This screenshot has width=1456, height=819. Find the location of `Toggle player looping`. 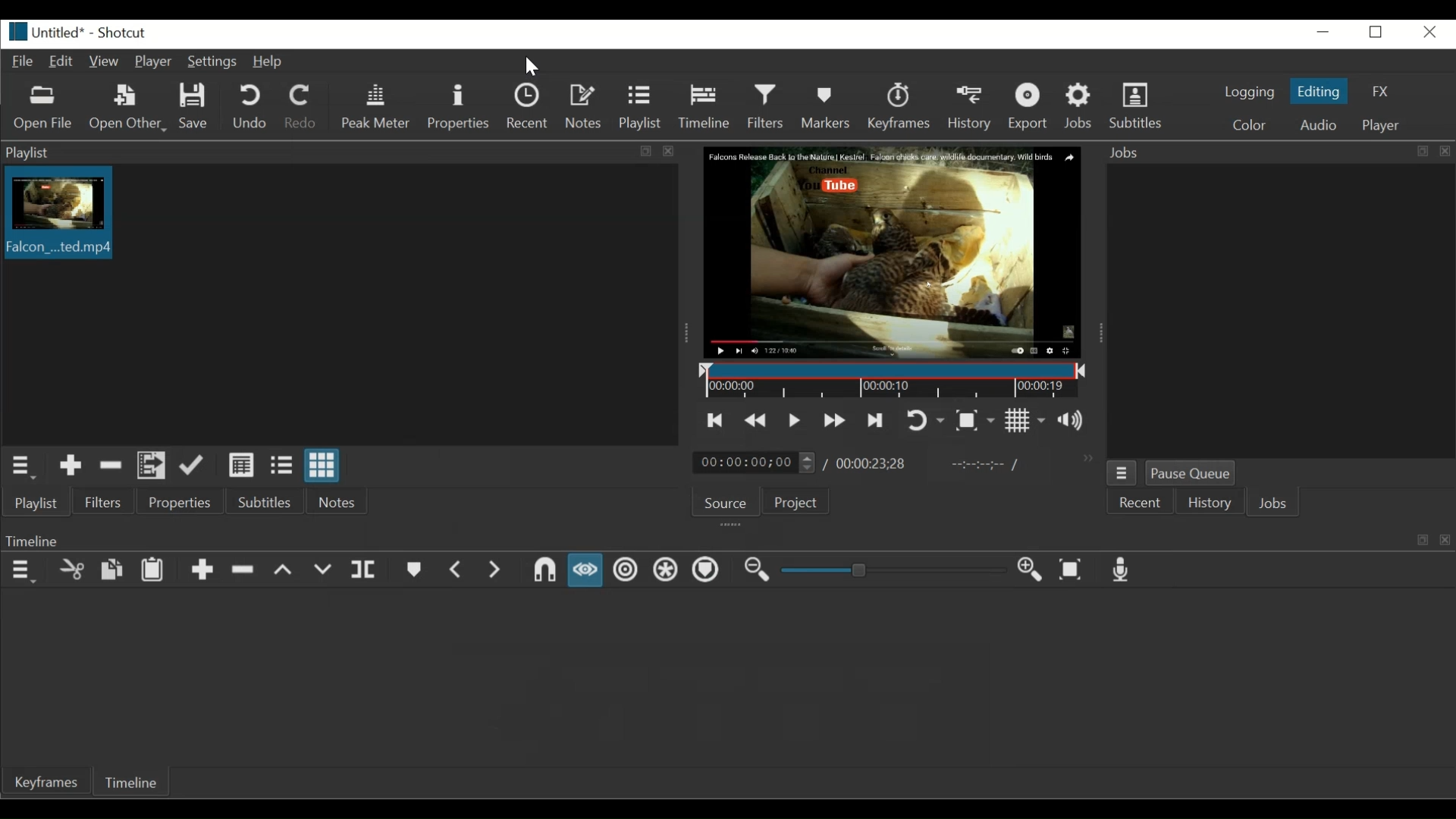

Toggle player looping is located at coordinates (925, 419).